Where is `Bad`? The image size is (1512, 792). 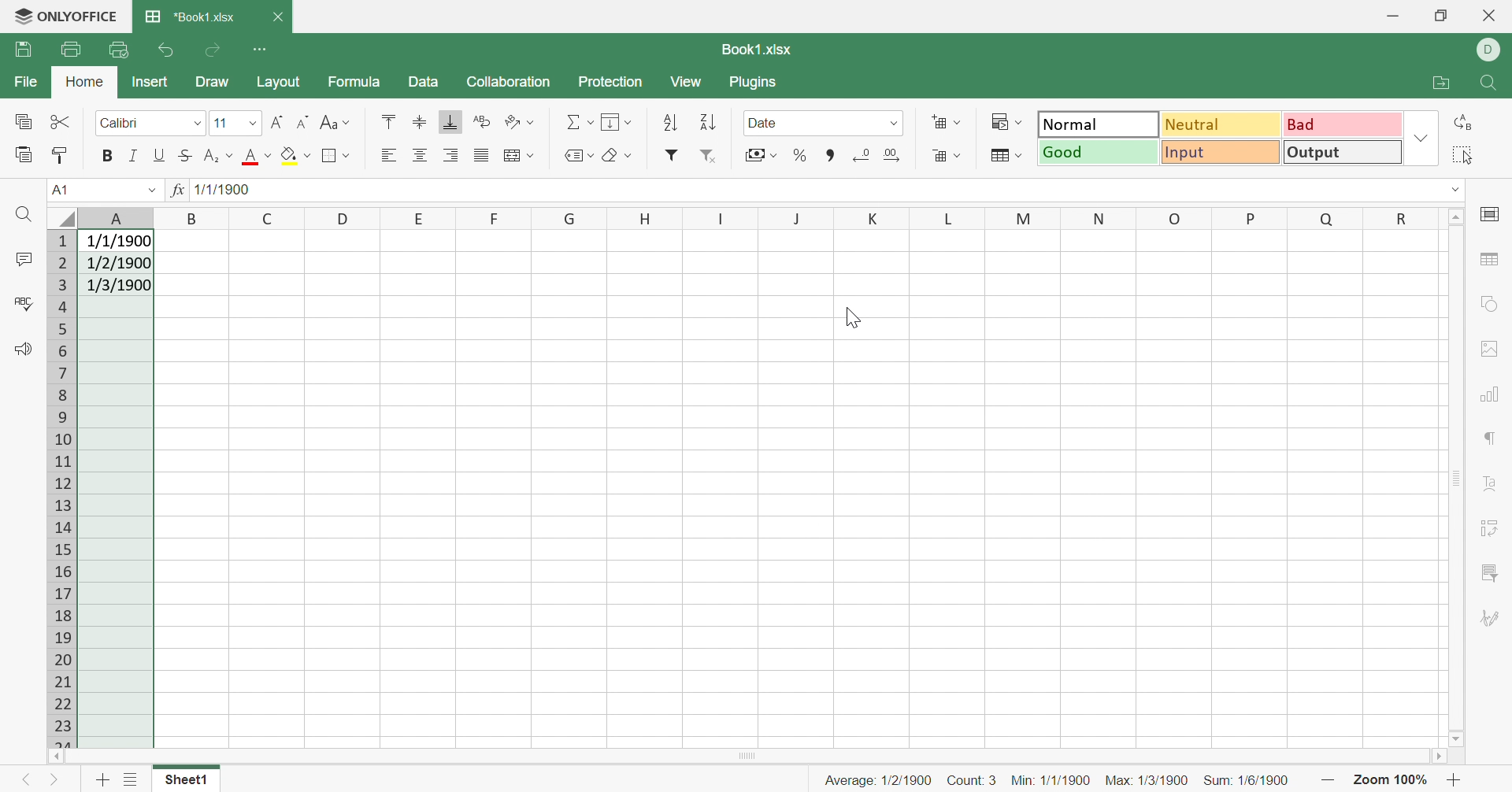 Bad is located at coordinates (1342, 124).